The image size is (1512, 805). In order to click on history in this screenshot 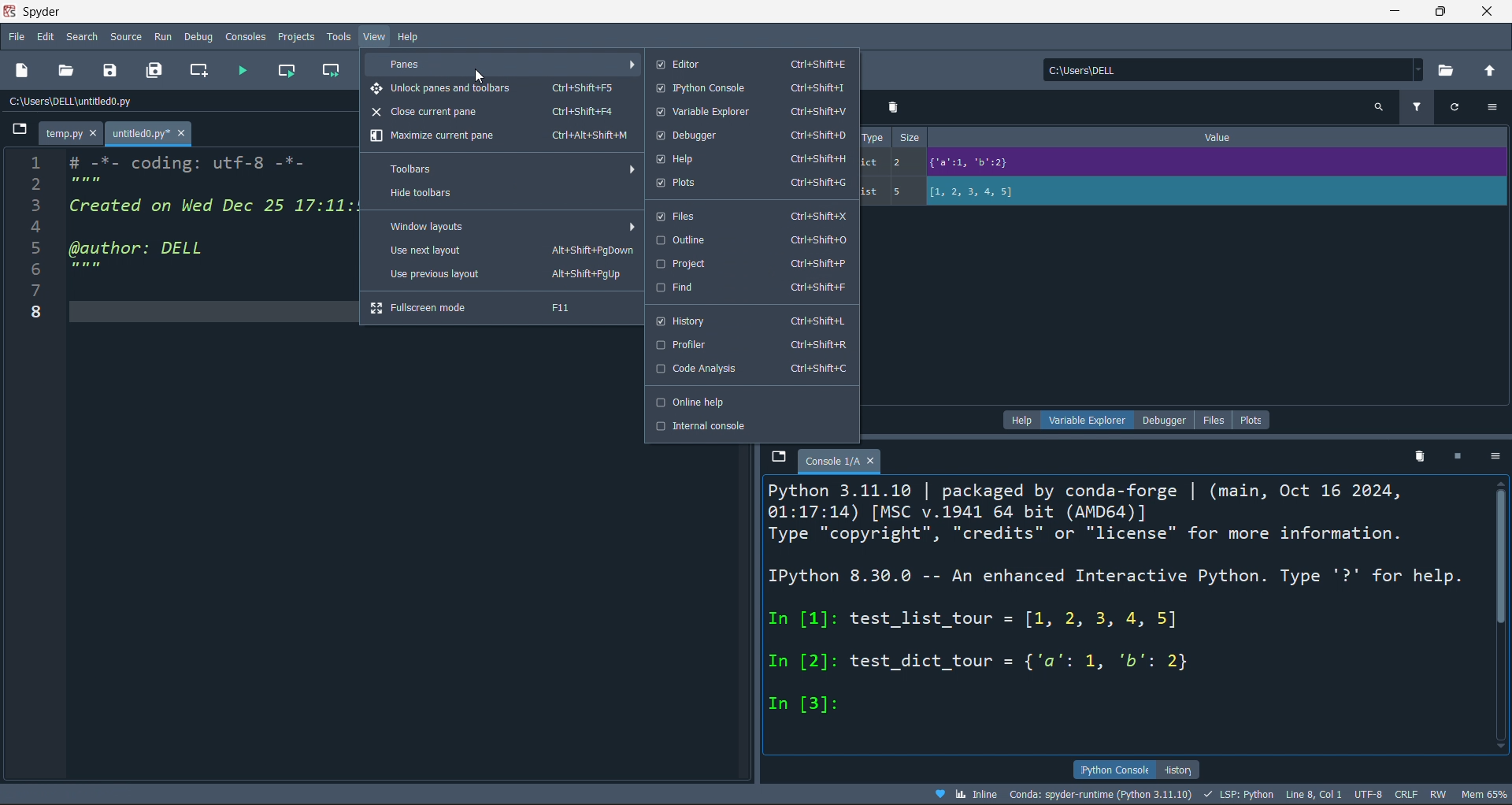, I will do `click(1180, 770)`.